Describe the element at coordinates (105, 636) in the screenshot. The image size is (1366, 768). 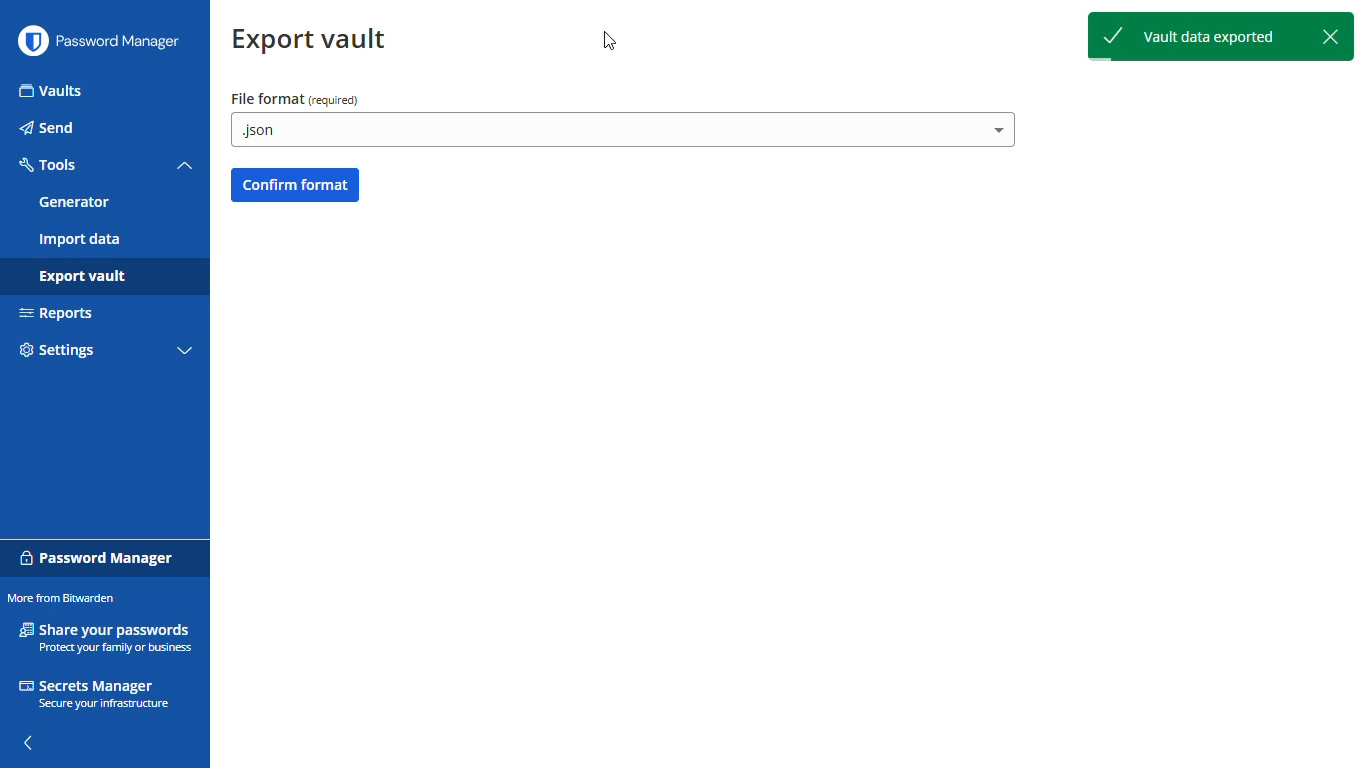
I see `share your passwords` at that location.